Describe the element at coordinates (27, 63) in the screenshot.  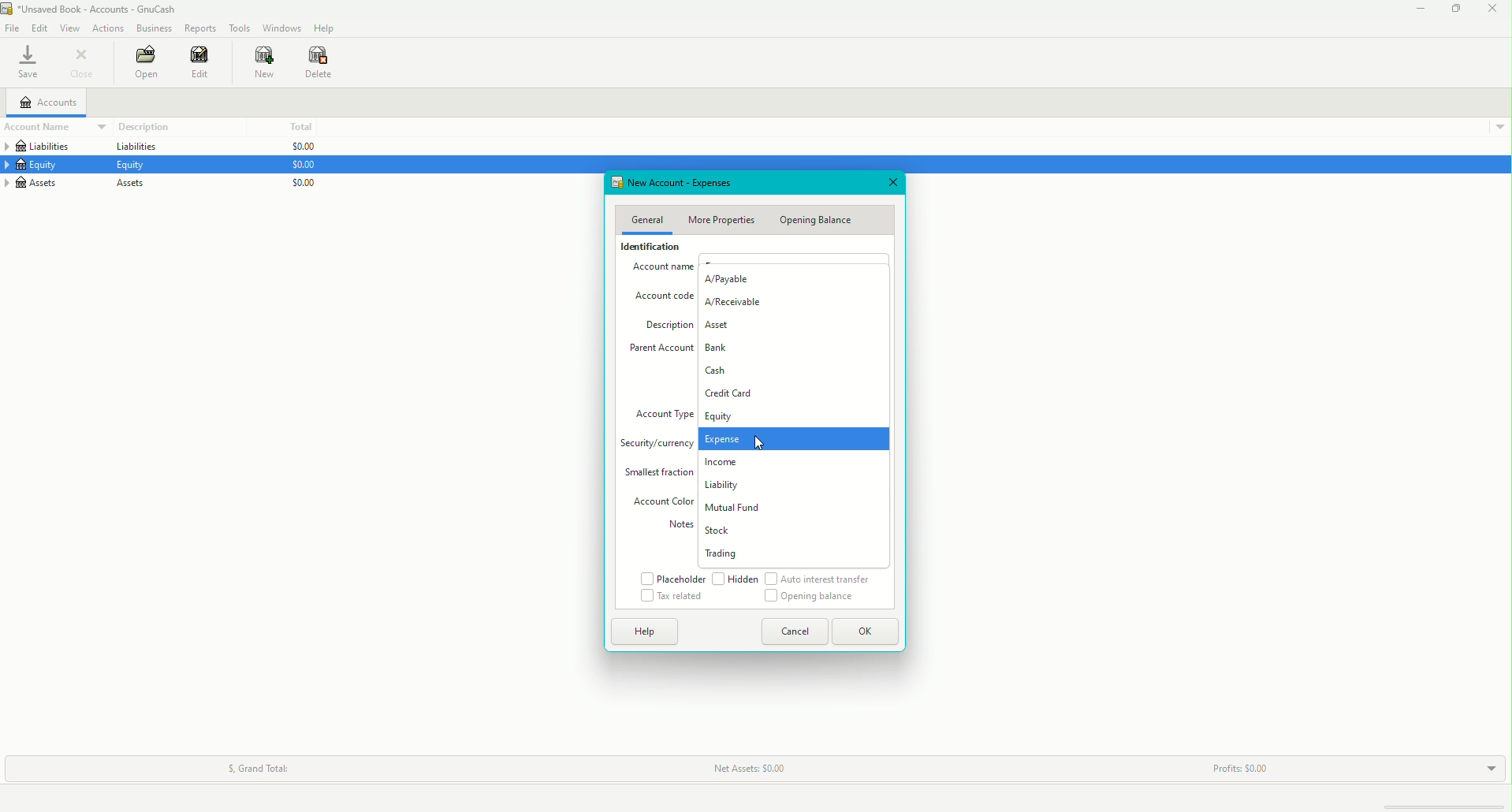
I see `Save` at that location.